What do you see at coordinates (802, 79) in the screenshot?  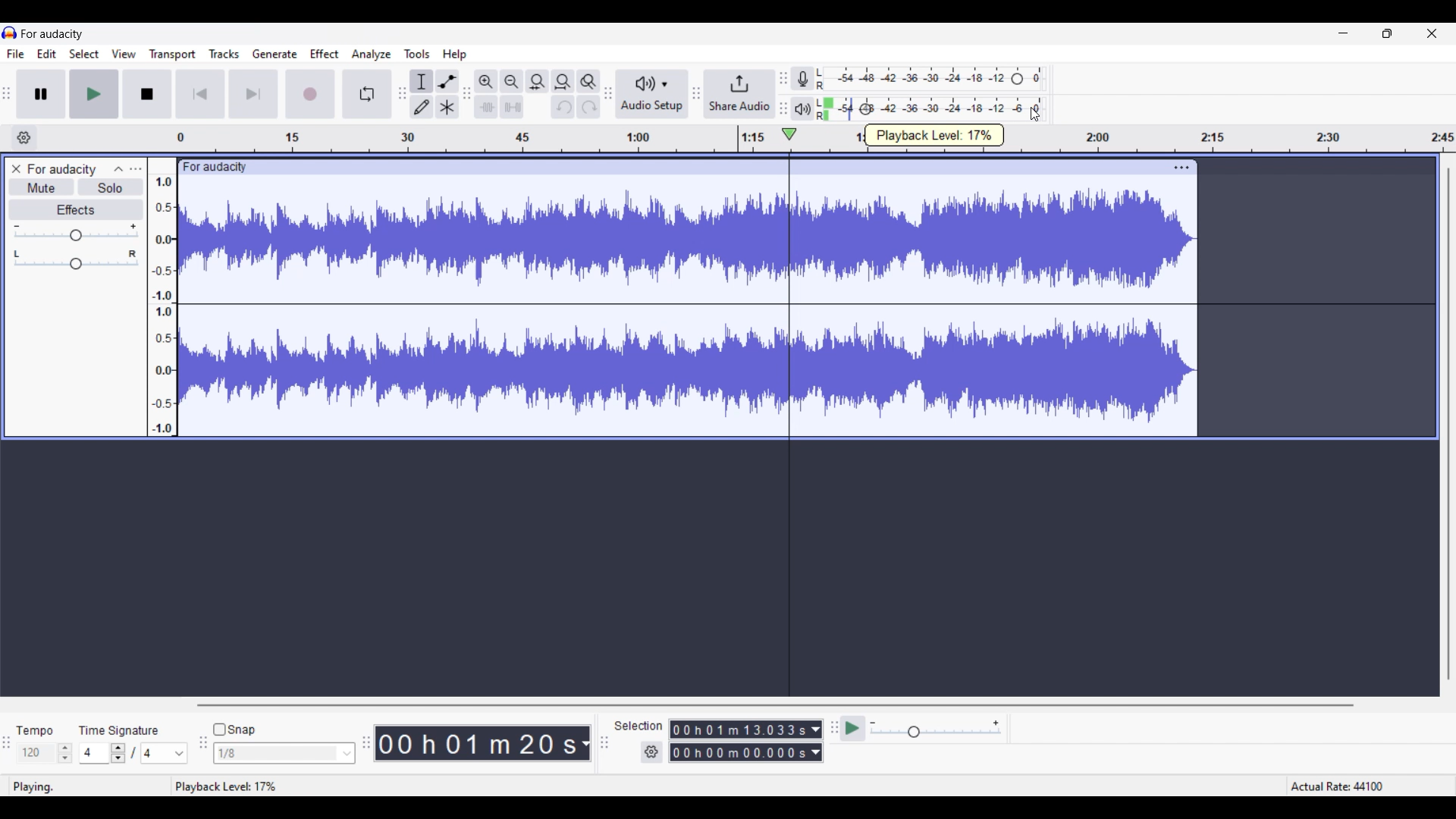 I see `Record meter` at bounding box center [802, 79].